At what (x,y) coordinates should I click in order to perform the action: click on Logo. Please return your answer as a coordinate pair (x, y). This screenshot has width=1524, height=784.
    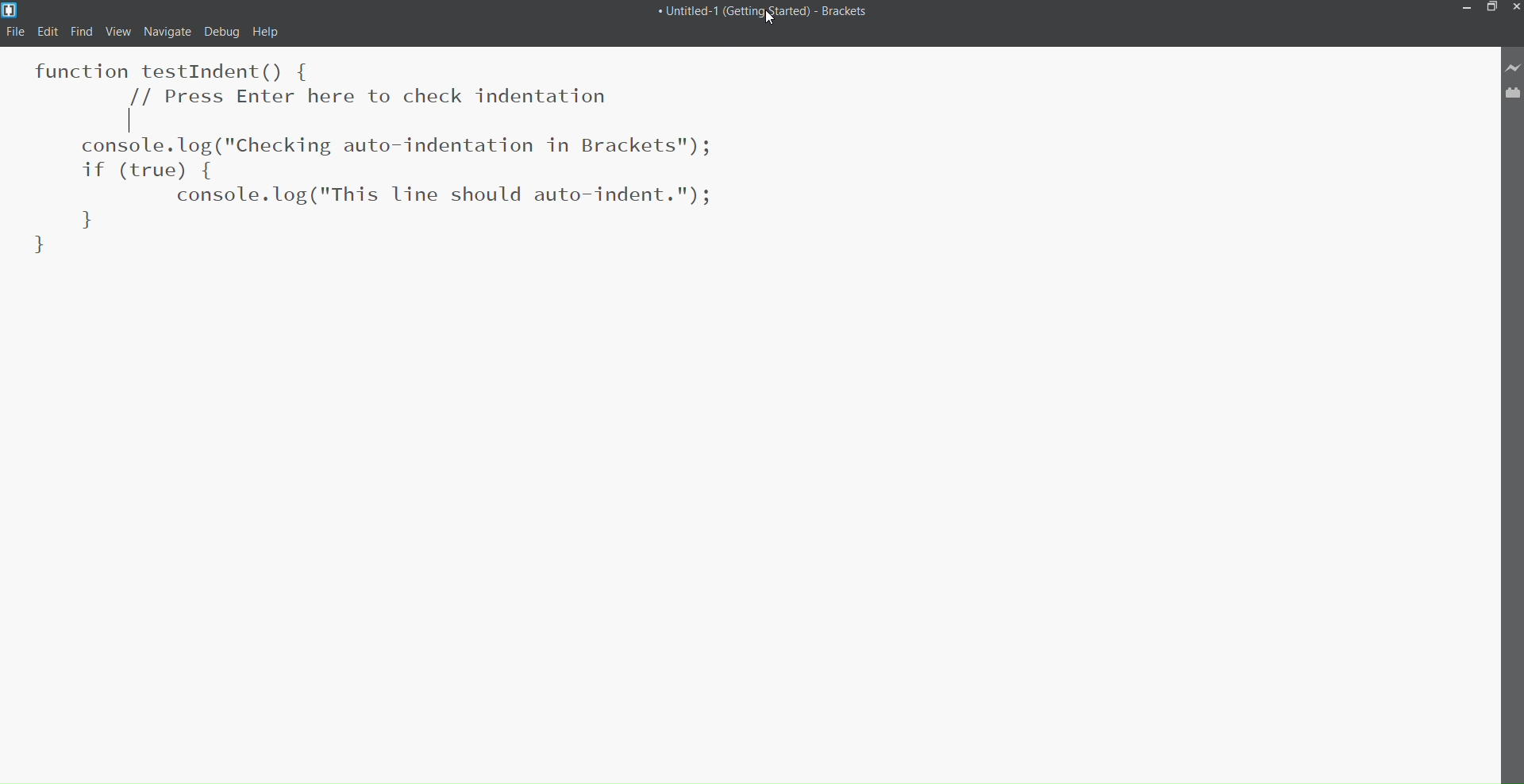
    Looking at the image, I should click on (11, 10).